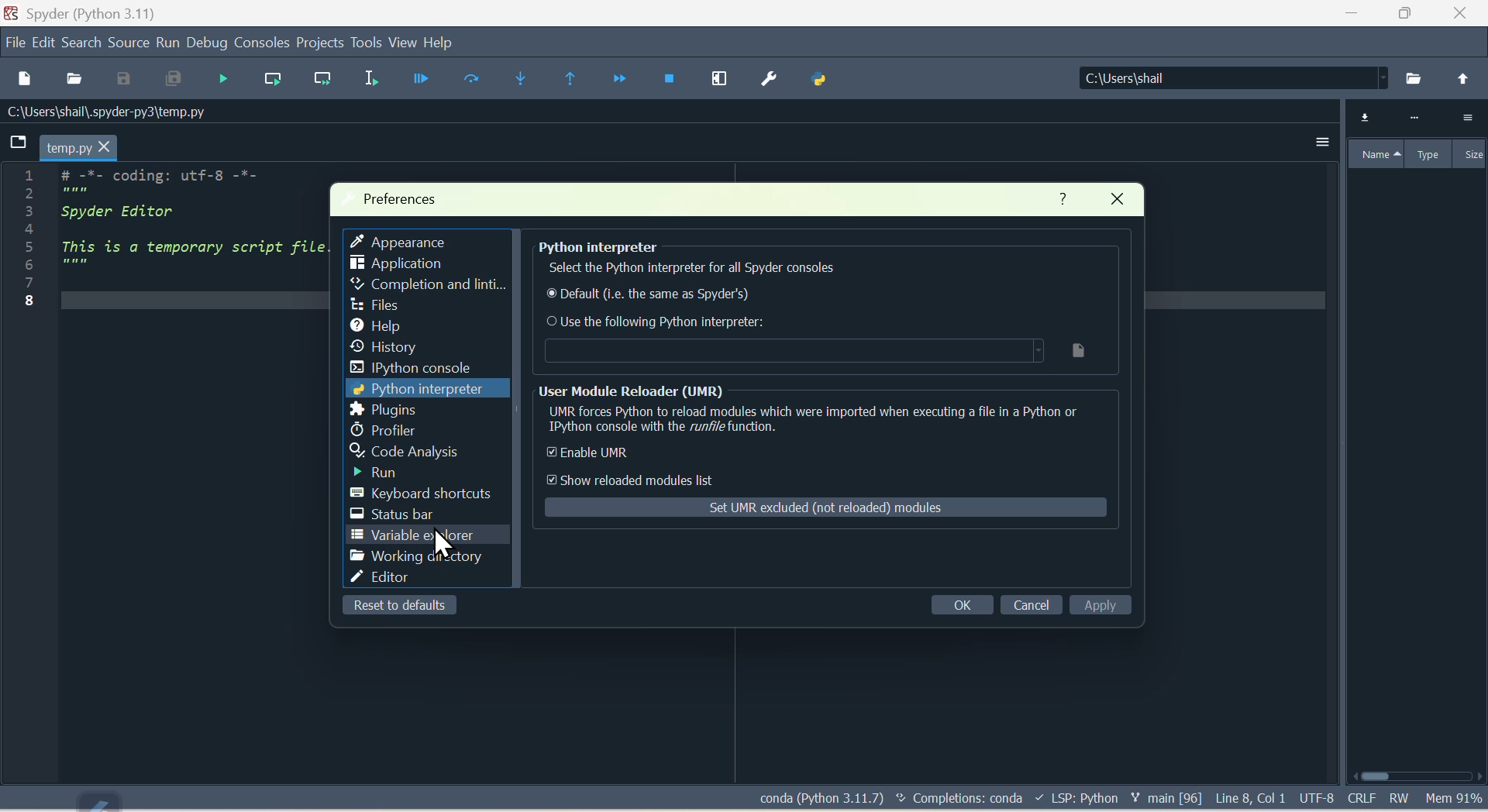 The width and height of the screenshot is (1488, 812). Describe the element at coordinates (429, 535) in the screenshot. I see `Variable explorer` at that location.